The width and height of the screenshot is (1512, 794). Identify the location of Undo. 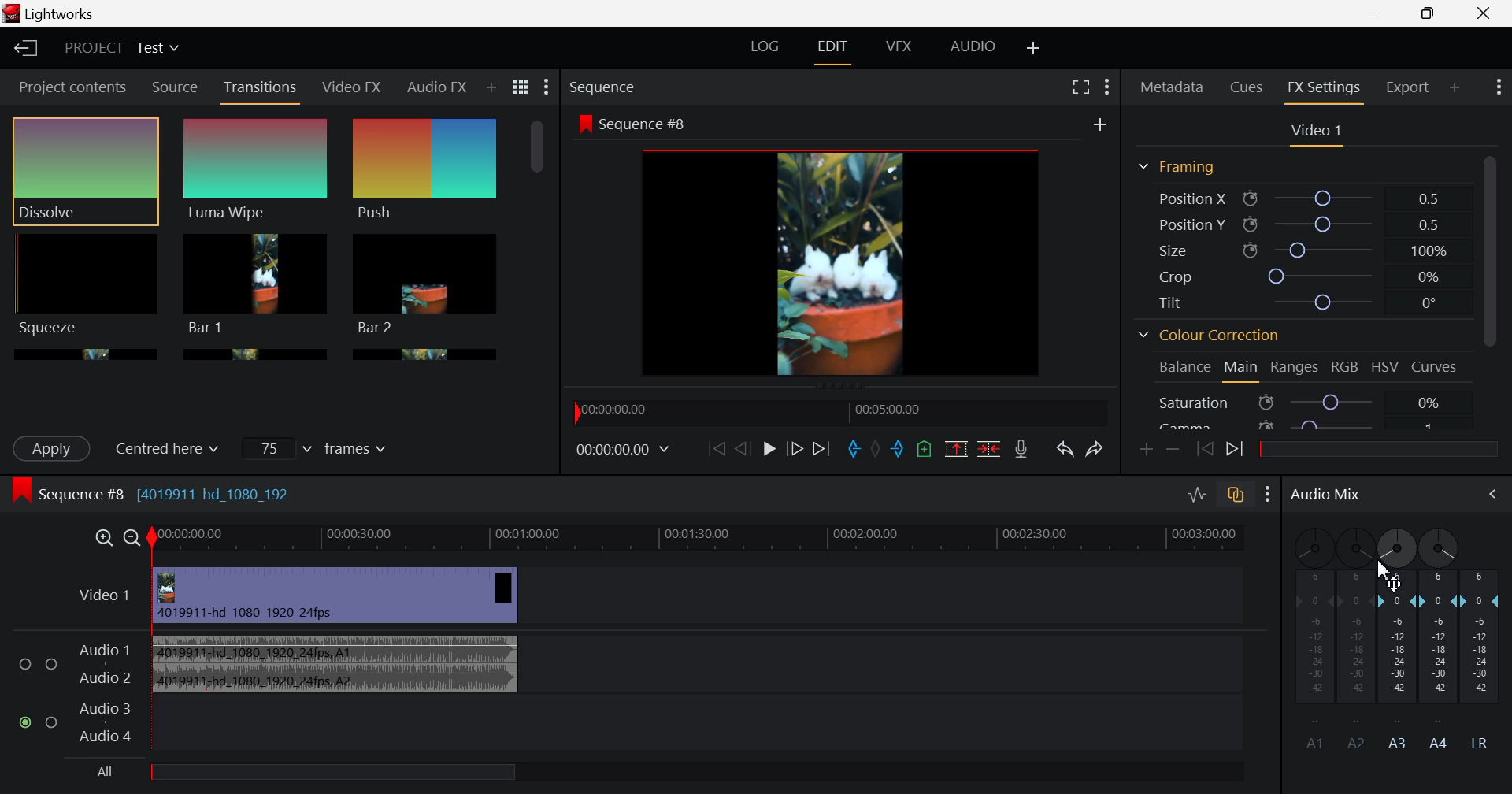
(1066, 451).